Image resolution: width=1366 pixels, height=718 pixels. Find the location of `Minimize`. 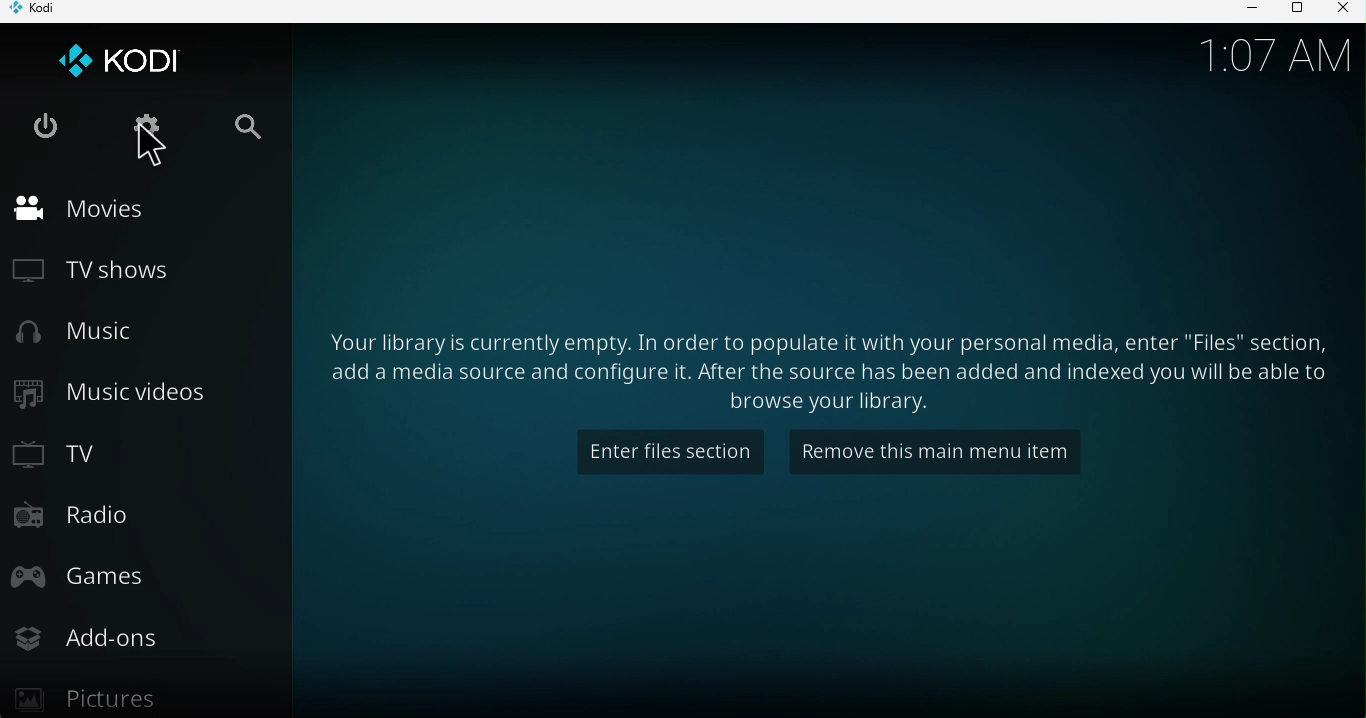

Minimize is located at coordinates (1245, 11).